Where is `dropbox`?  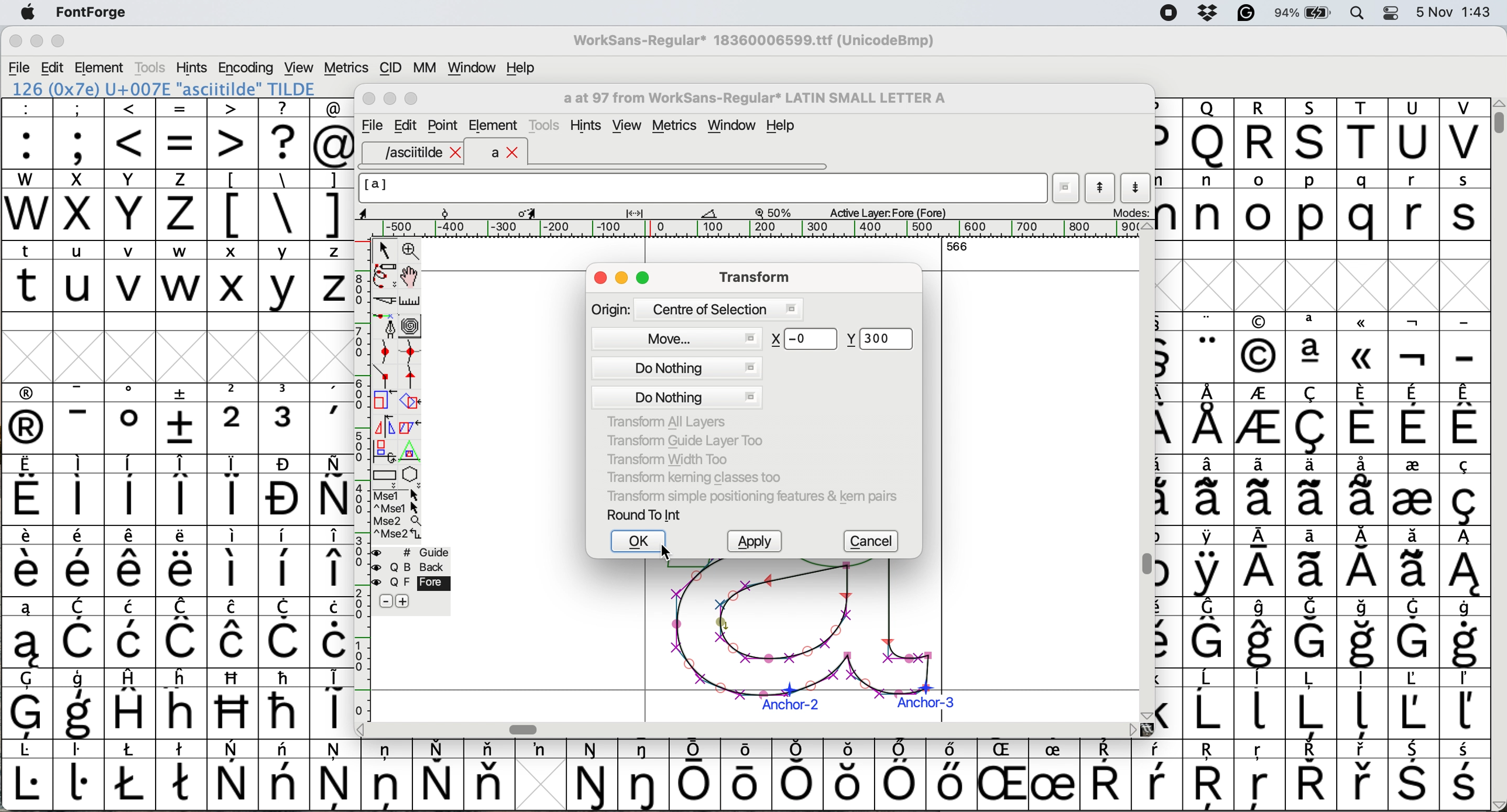
dropbox is located at coordinates (1204, 13).